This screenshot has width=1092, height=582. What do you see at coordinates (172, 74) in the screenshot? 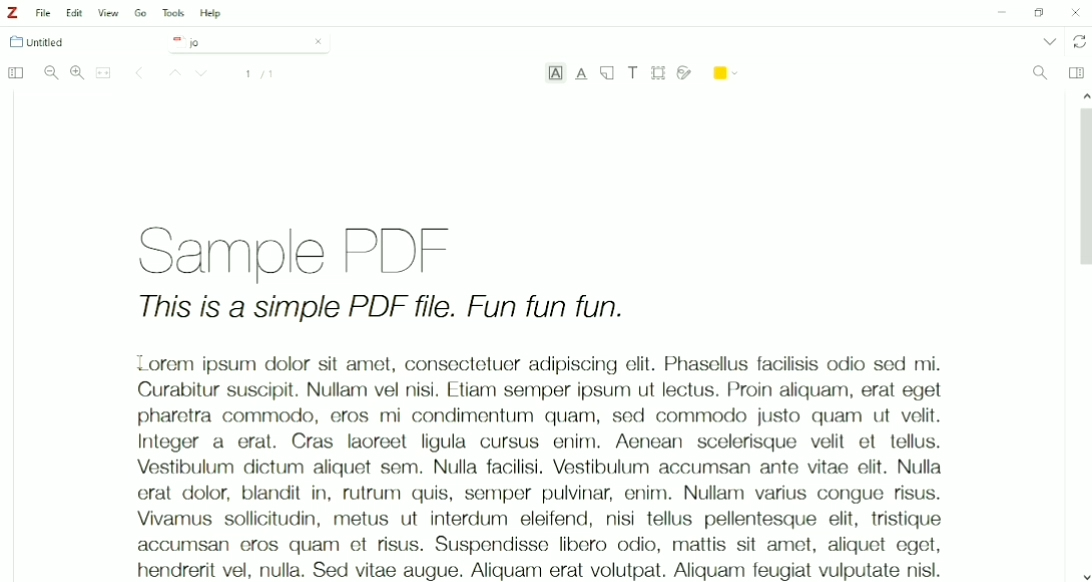
I see `Up` at bounding box center [172, 74].